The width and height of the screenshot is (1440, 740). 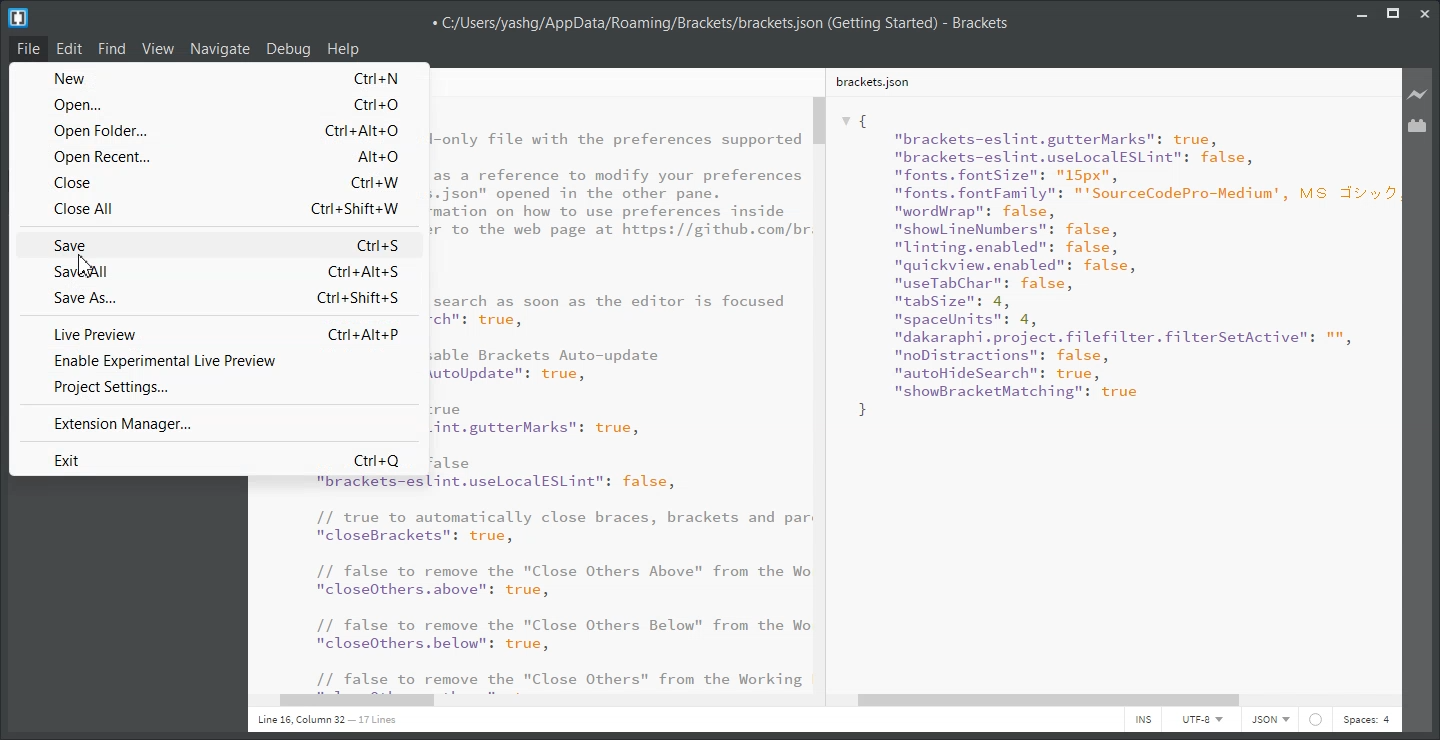 I want to click on {"brackets-eslint.gutterMarks": true,"brackets-eslint.uselocalESLint": false,"fonts. fontSize": "15px","fonts. fontFamily": "'SourceCodePro-Medium', MS J:"wordWrap": false,"show ineNumbers": false,"linting.enabled": false,"quickview.enabled": false,"useTabChar": false,"tabSize": 4,"spaceUnits": 4,"dakaraphi.project. filefilter.filterSetActive": "","noDistractions": false,"autoHideSearch”: true,nshowBracketMatching": true }, so click(x=1117, y=265).